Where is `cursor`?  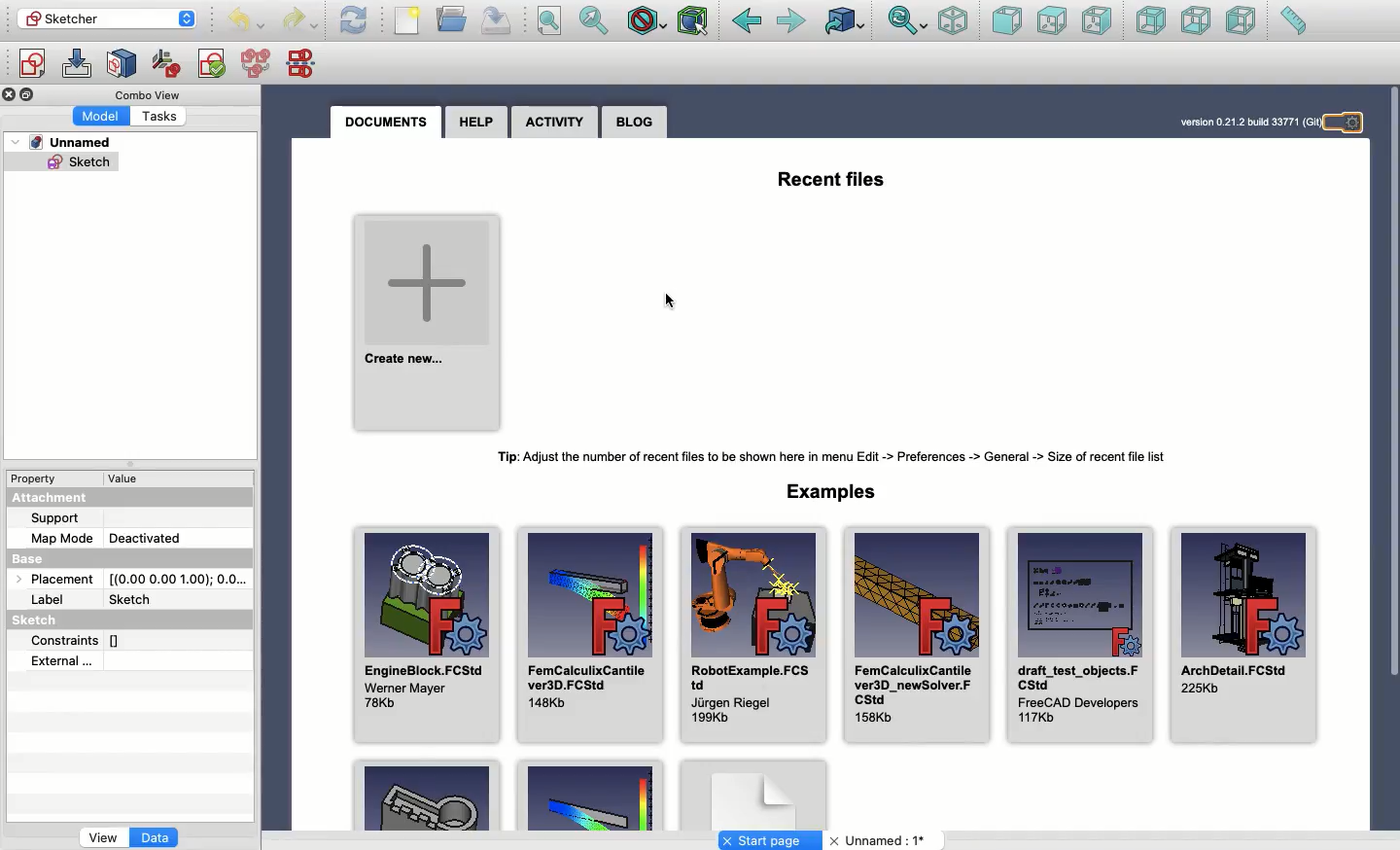
cursor is located at coordinates (670, 303).